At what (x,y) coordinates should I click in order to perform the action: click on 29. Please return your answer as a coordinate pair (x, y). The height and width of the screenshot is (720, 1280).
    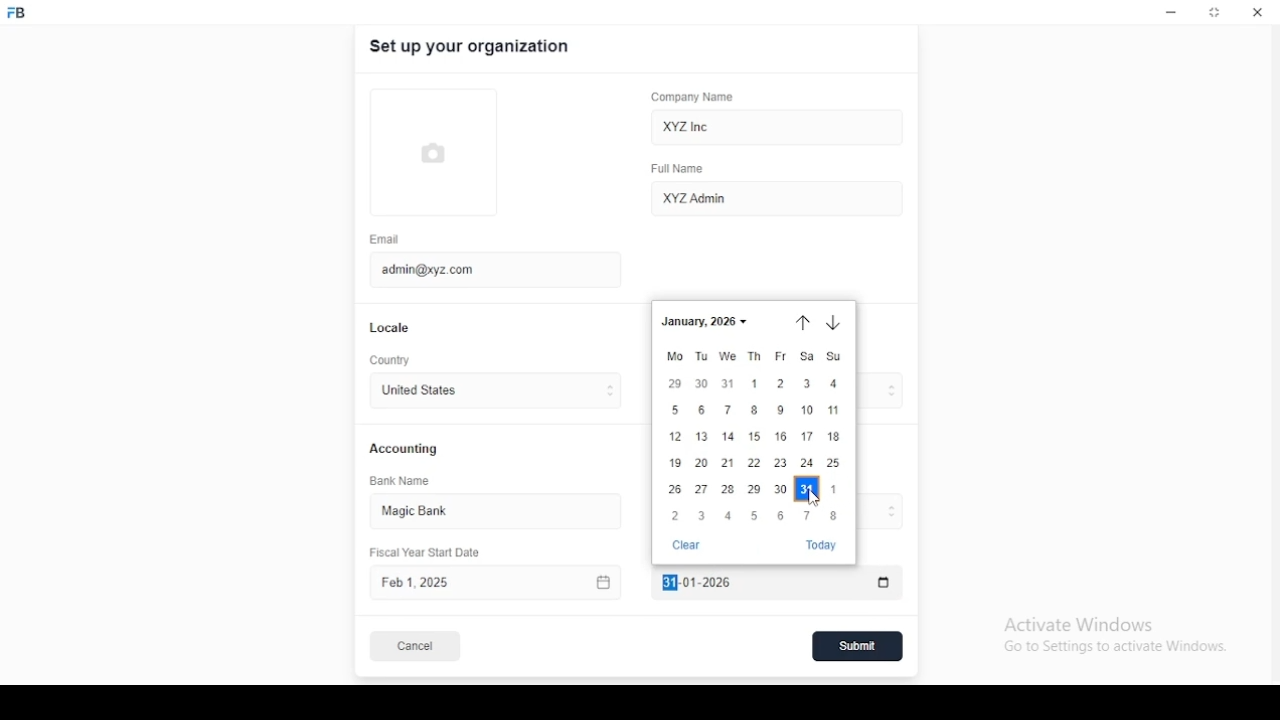
    Looking at the image, I should click on (753, 491).